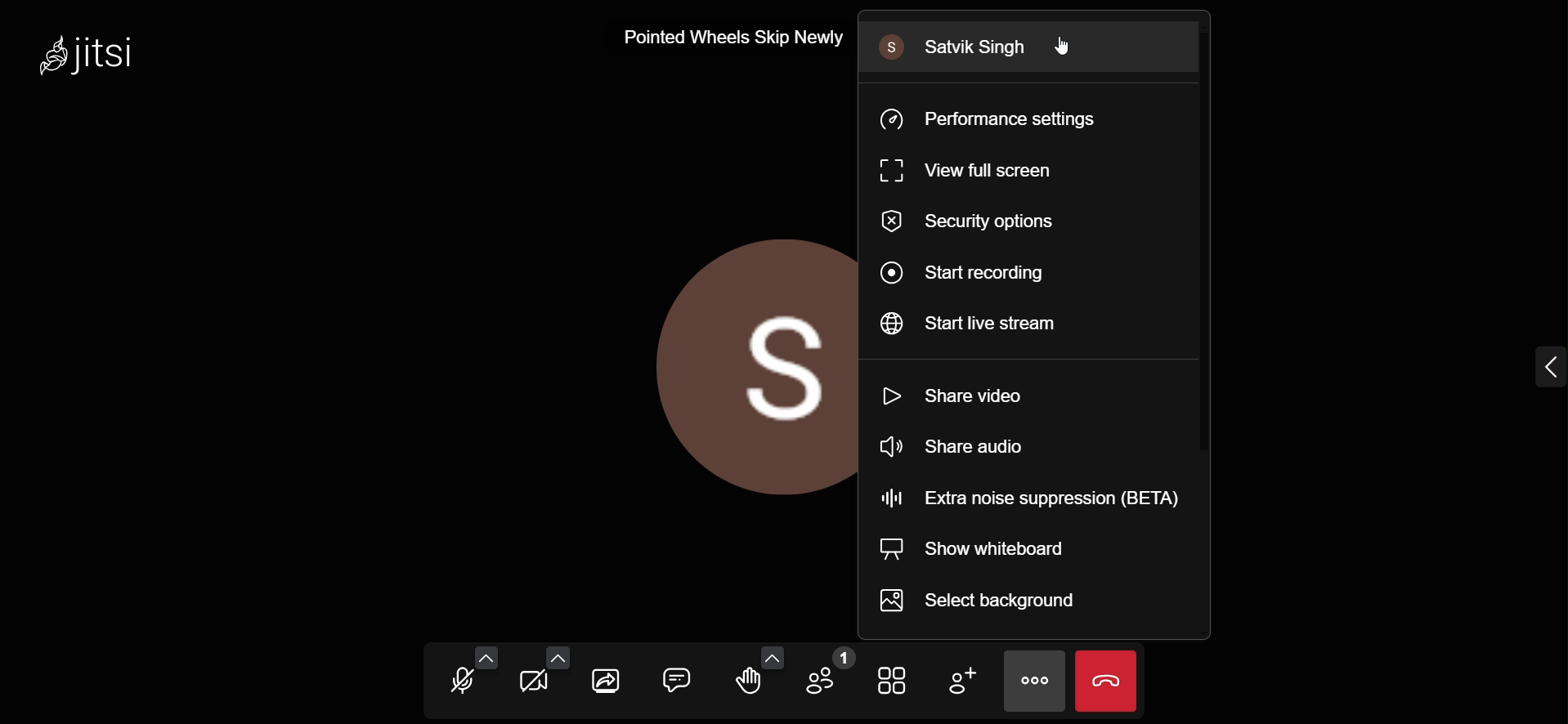 This screenshot has width=1568, height=724. Describe the element at coordinates (560, 656) in the screenshot. I see `video setting` at that location.